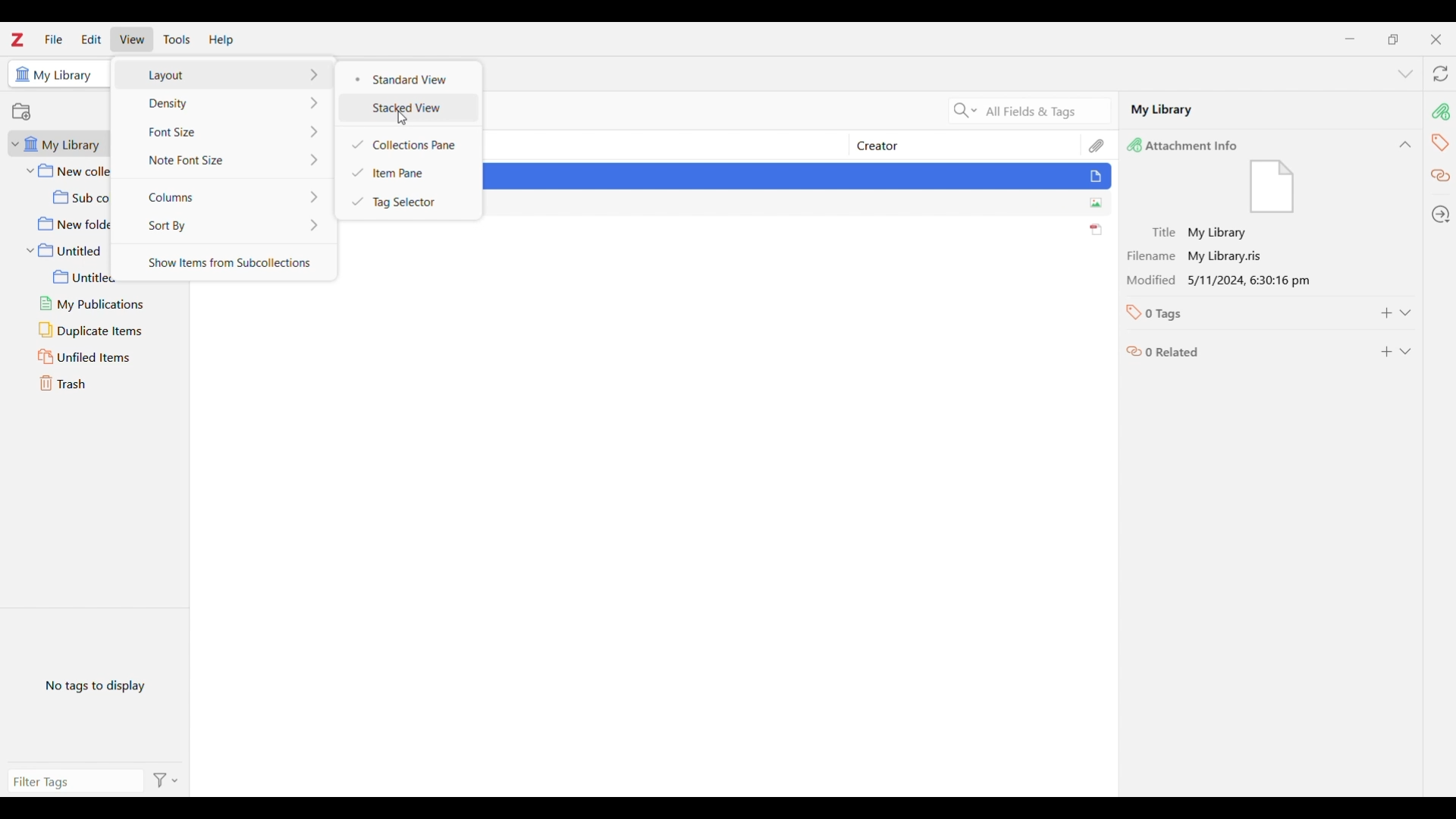 This screenshot has height=819, width=1456. I want to click on View menu highlighted, so click(133, 39).